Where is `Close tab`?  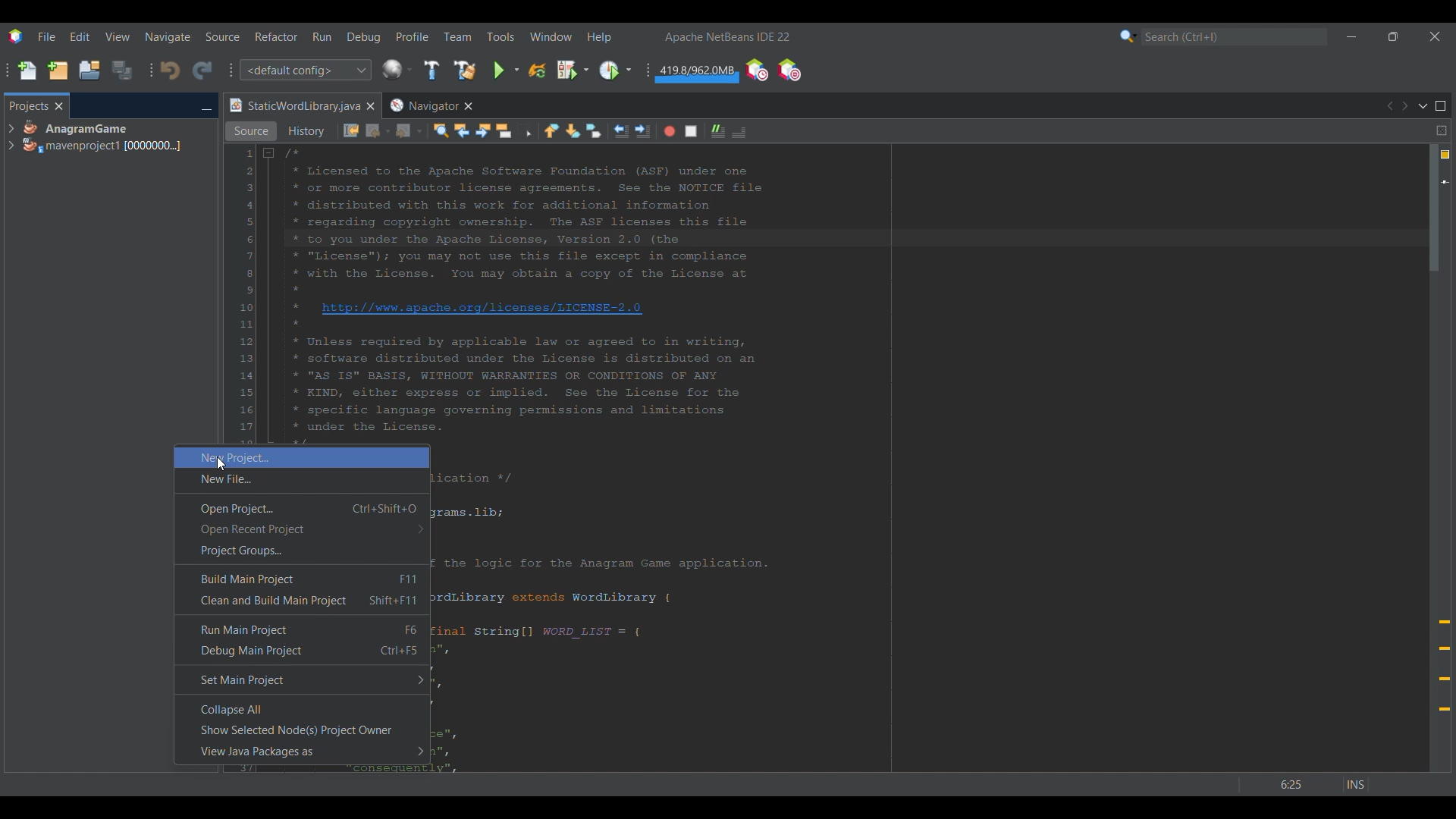
Close tab is located at coordinates (59, 106).